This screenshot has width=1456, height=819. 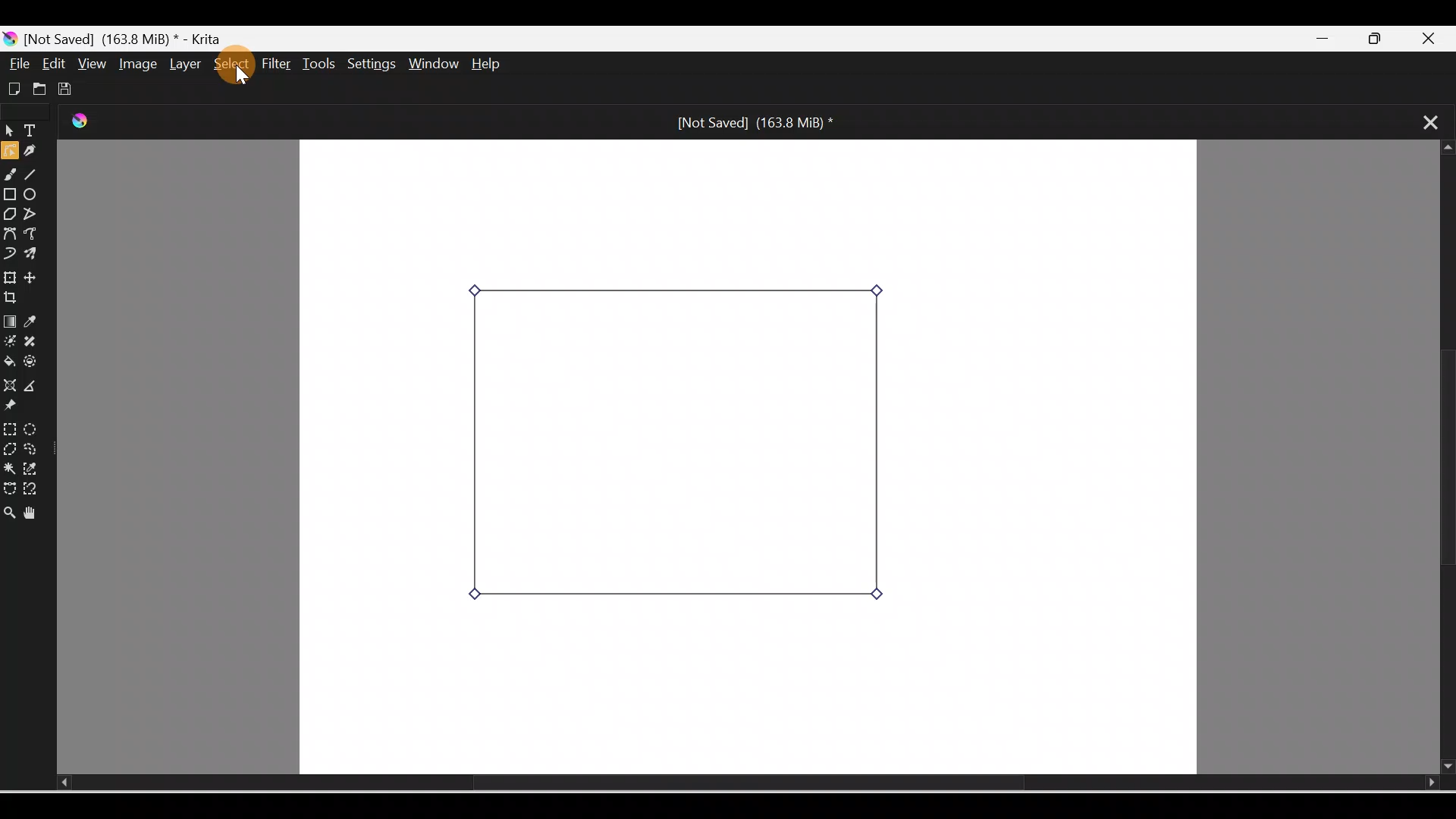 I want to click on Line, so click(x=36, y=177).